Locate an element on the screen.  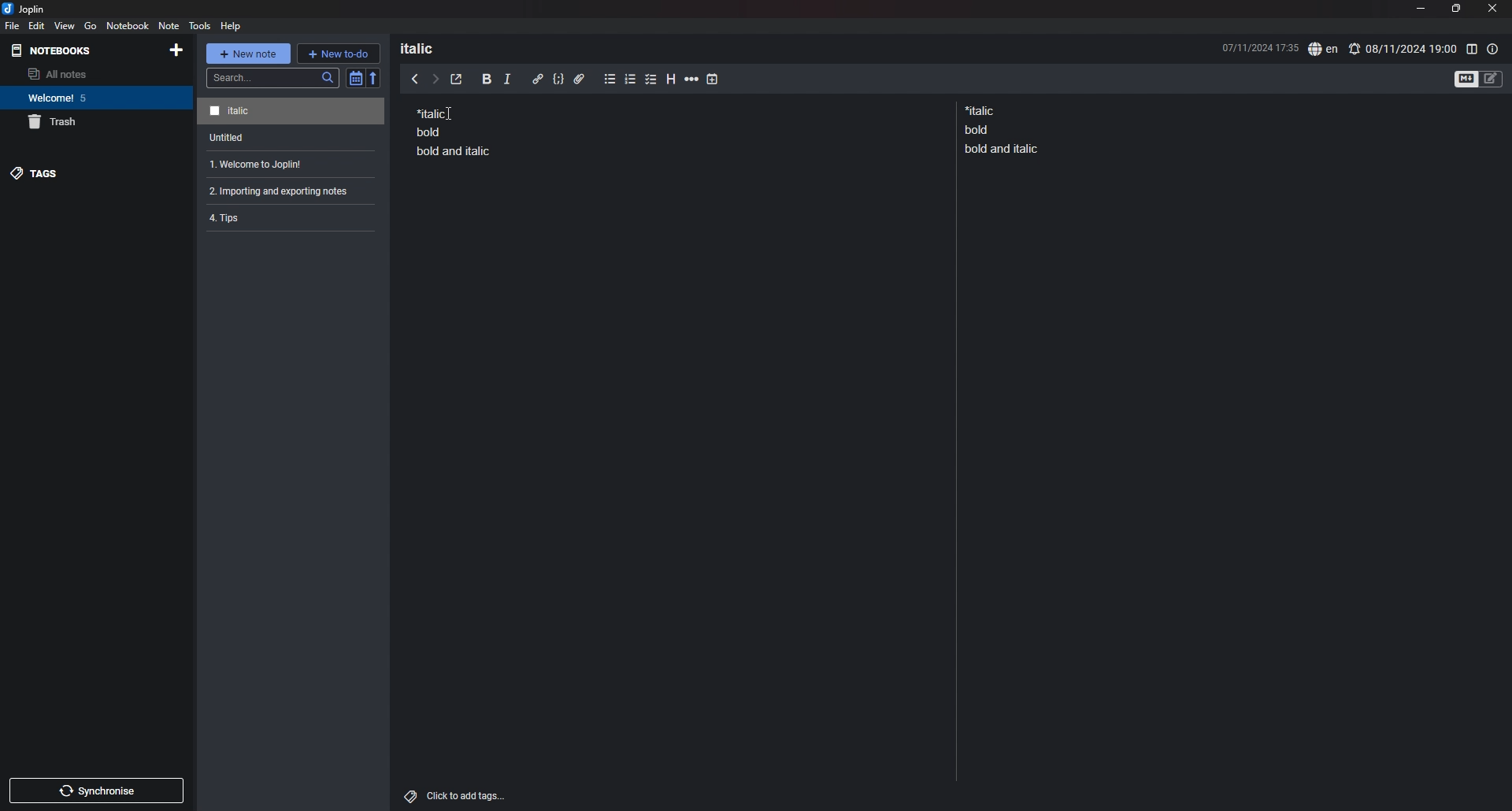
italic is located at coordinates (507, 82).